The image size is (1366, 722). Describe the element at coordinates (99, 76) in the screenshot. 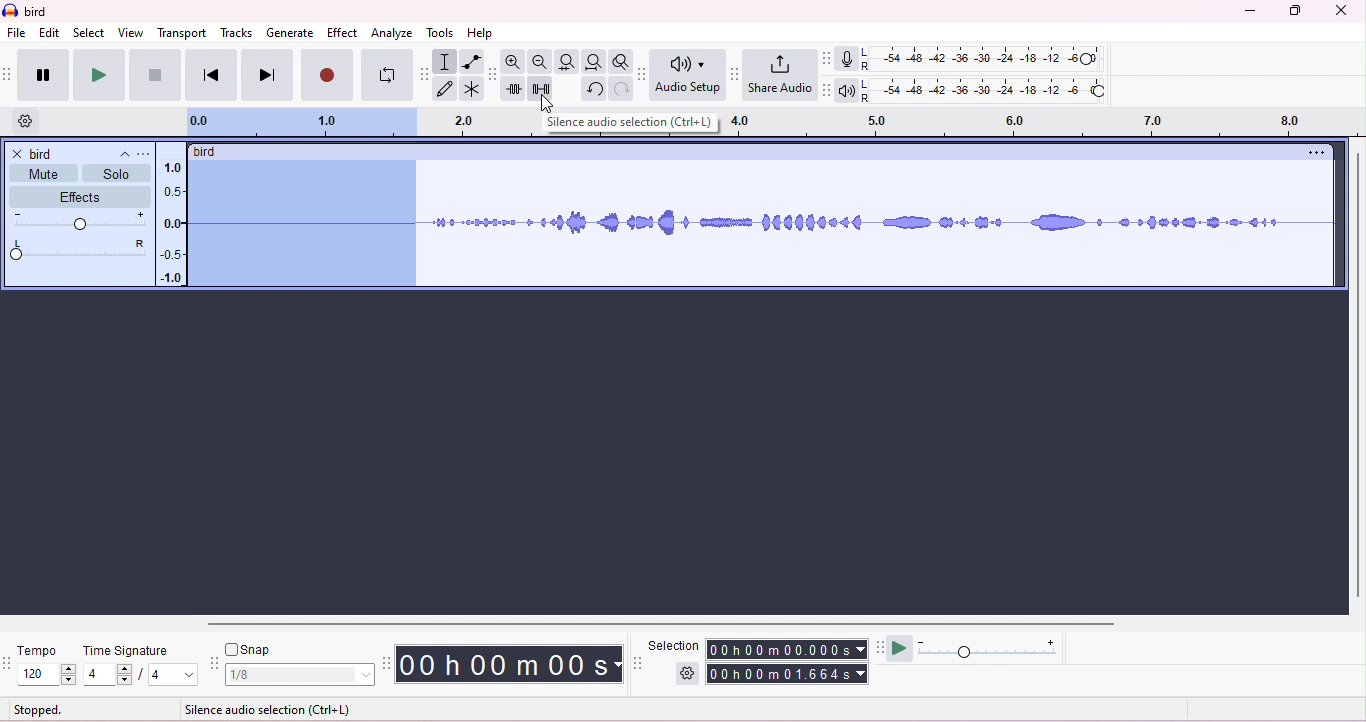

I see `play` at that location.